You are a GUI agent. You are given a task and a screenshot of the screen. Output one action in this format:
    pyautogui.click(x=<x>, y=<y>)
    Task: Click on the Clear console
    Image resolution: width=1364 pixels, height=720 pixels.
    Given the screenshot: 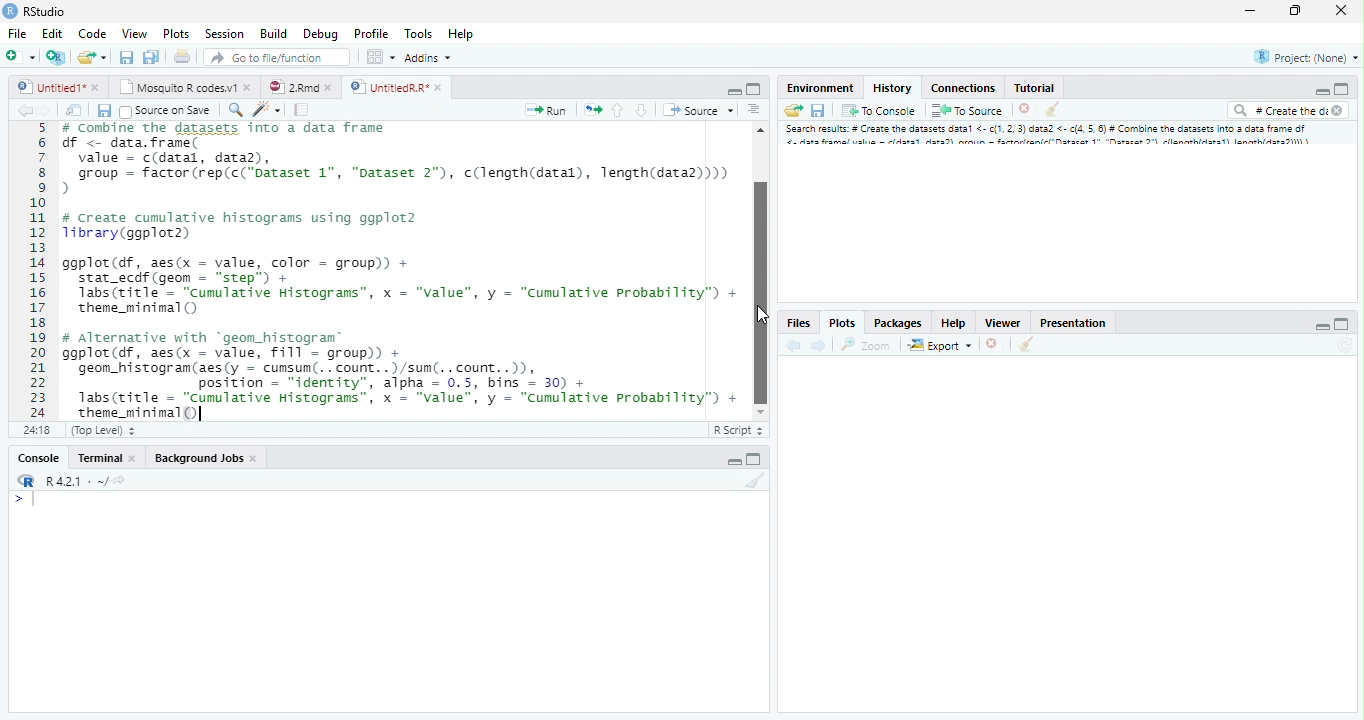 What is the action you would take?
    pyautogui.click(x=1029, y=346)
    